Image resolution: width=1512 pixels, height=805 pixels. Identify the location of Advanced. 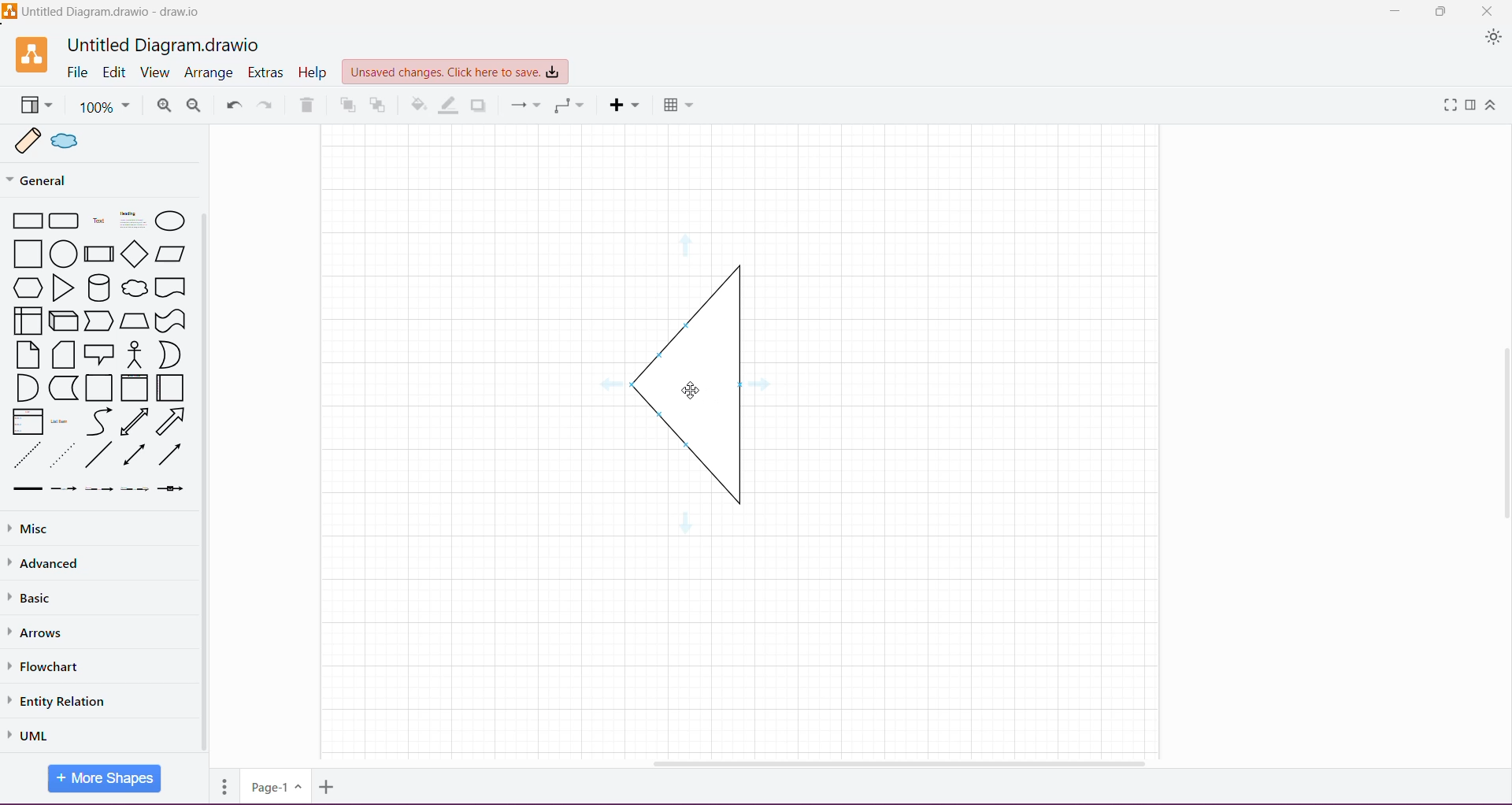
(48, 566).